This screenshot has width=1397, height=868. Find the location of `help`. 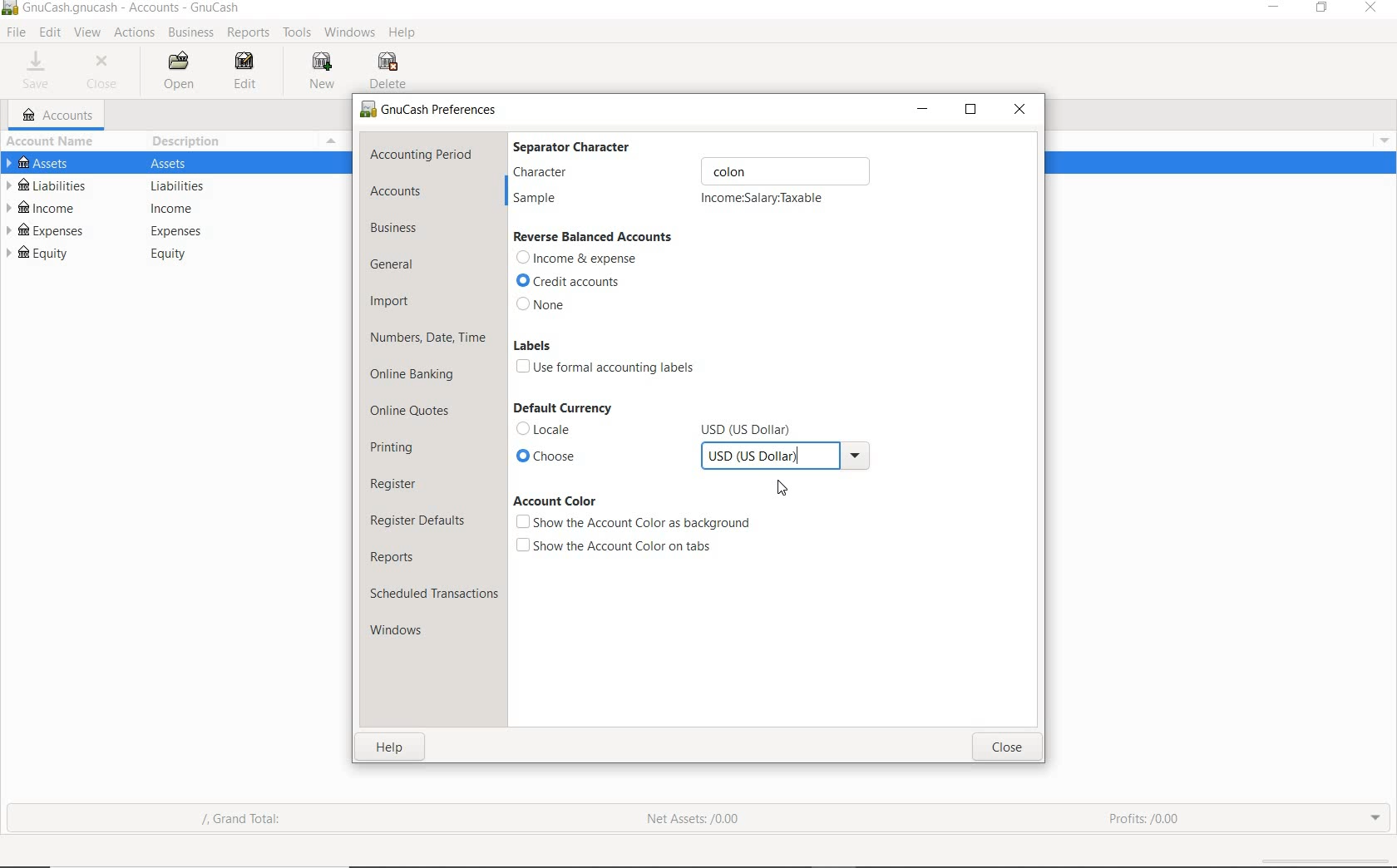

help is located at coordinates (389, 747).